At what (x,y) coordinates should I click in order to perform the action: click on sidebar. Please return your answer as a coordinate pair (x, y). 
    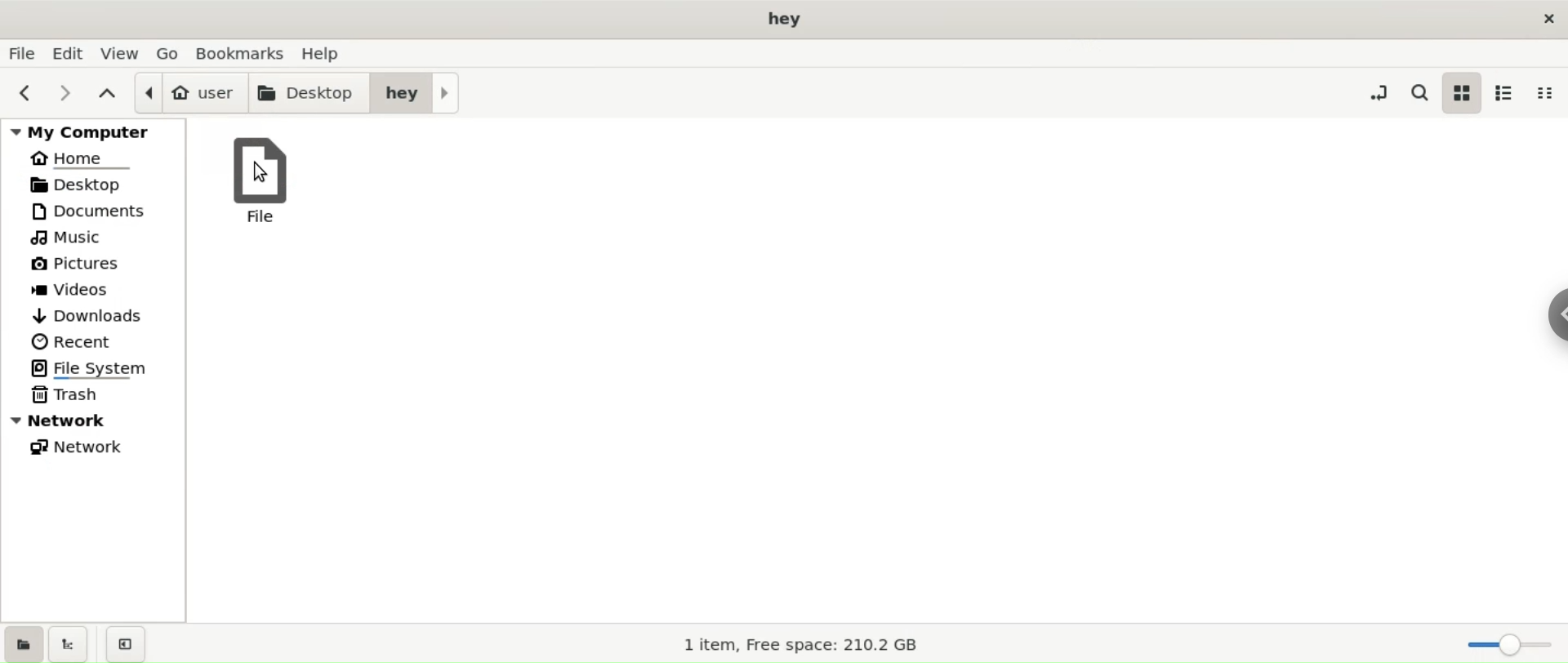
    Looking at the image, I should click on (1539, 321).